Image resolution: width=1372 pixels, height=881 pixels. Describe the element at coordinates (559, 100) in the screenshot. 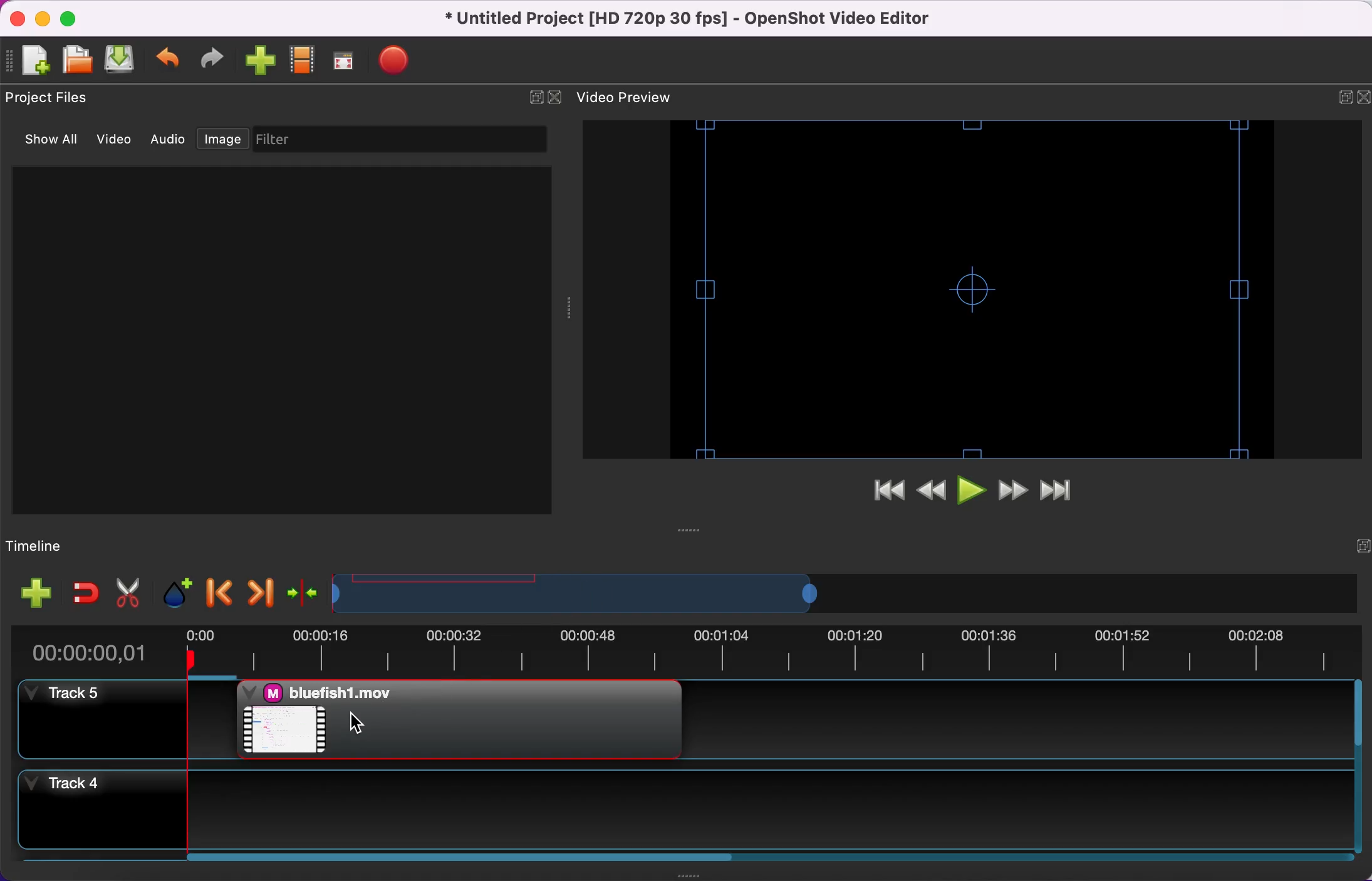

I see `close` at that location.